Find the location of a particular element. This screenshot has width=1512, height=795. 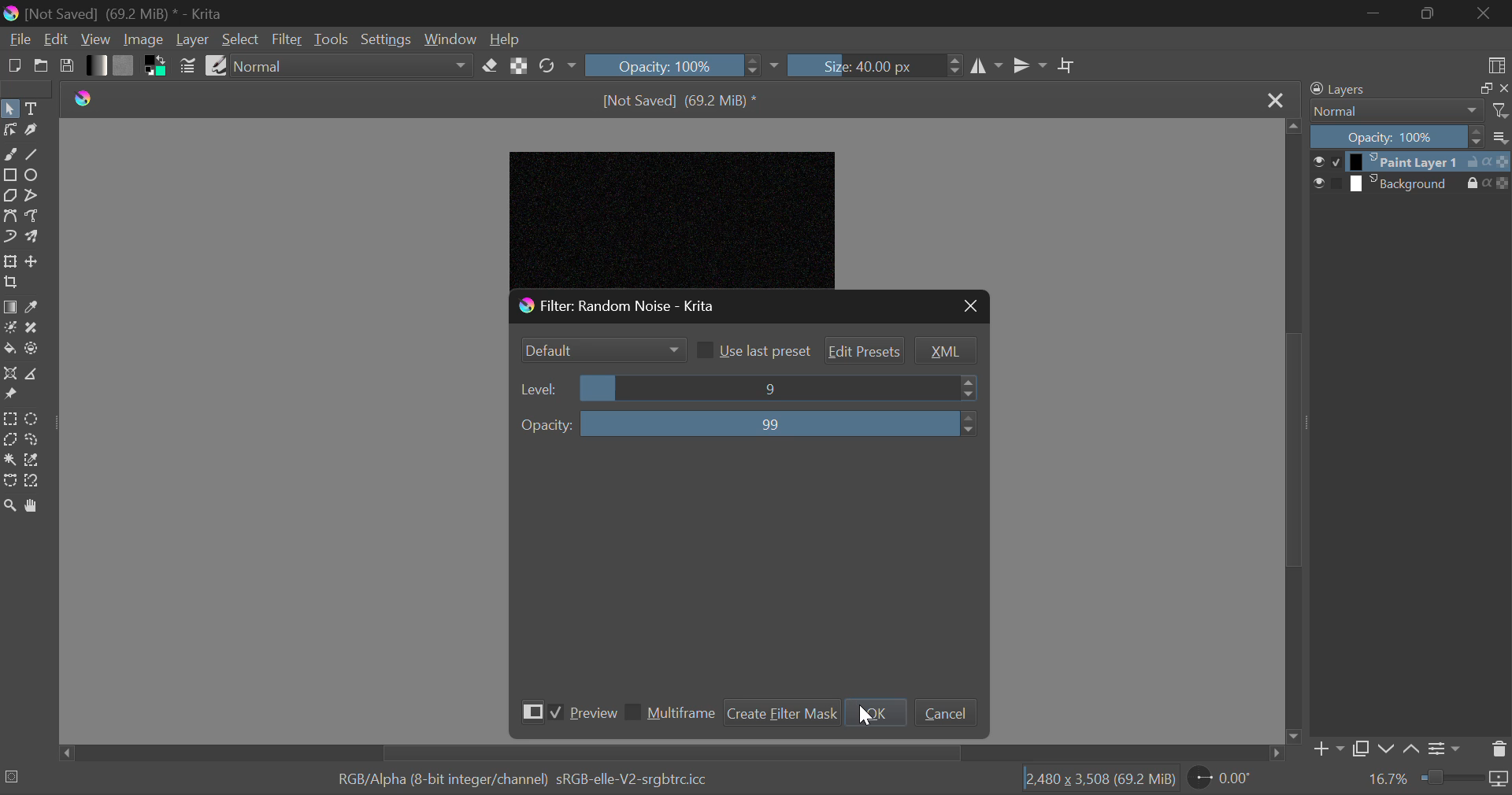

progress wheel is located at coordinates (13, 779).